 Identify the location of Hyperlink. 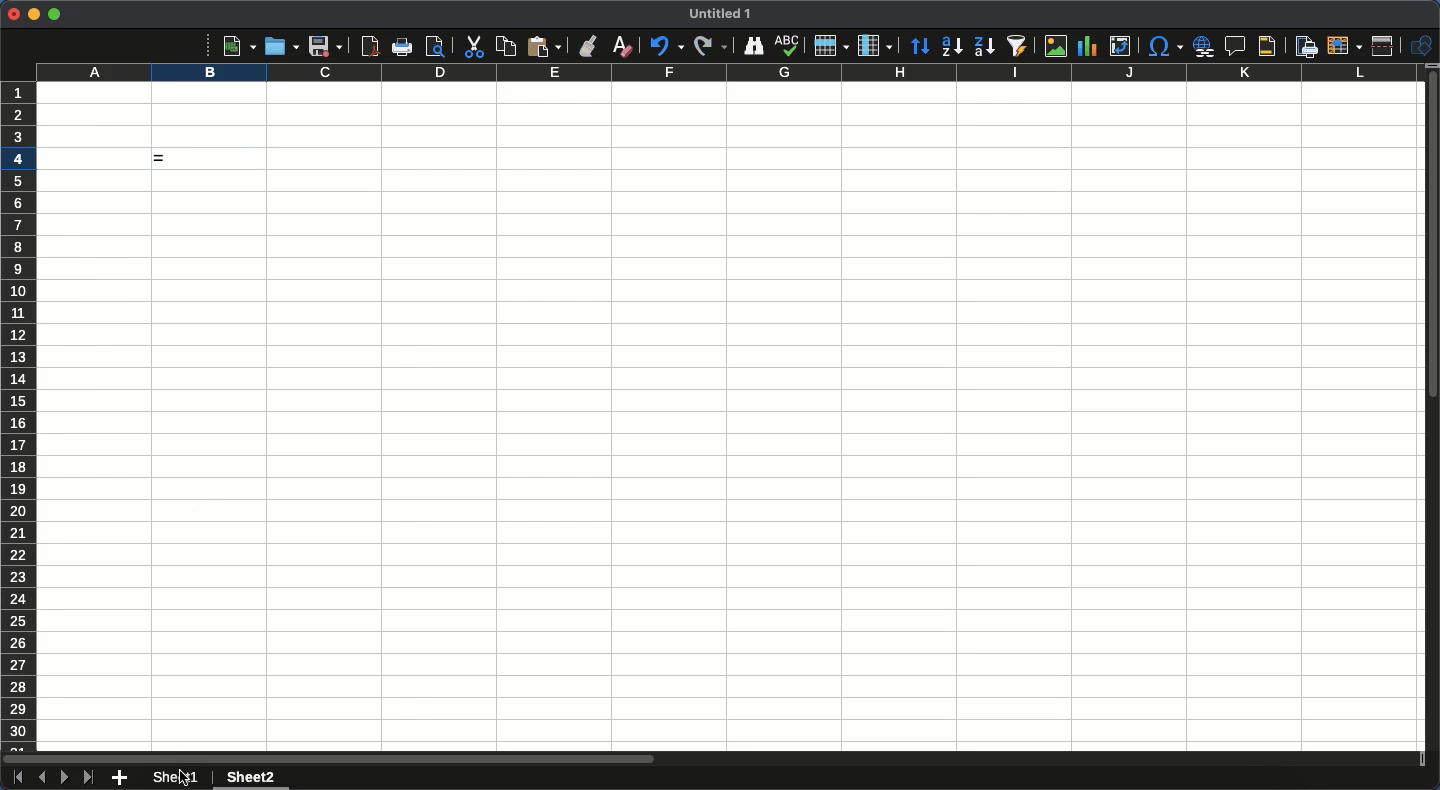
(1205, 46).